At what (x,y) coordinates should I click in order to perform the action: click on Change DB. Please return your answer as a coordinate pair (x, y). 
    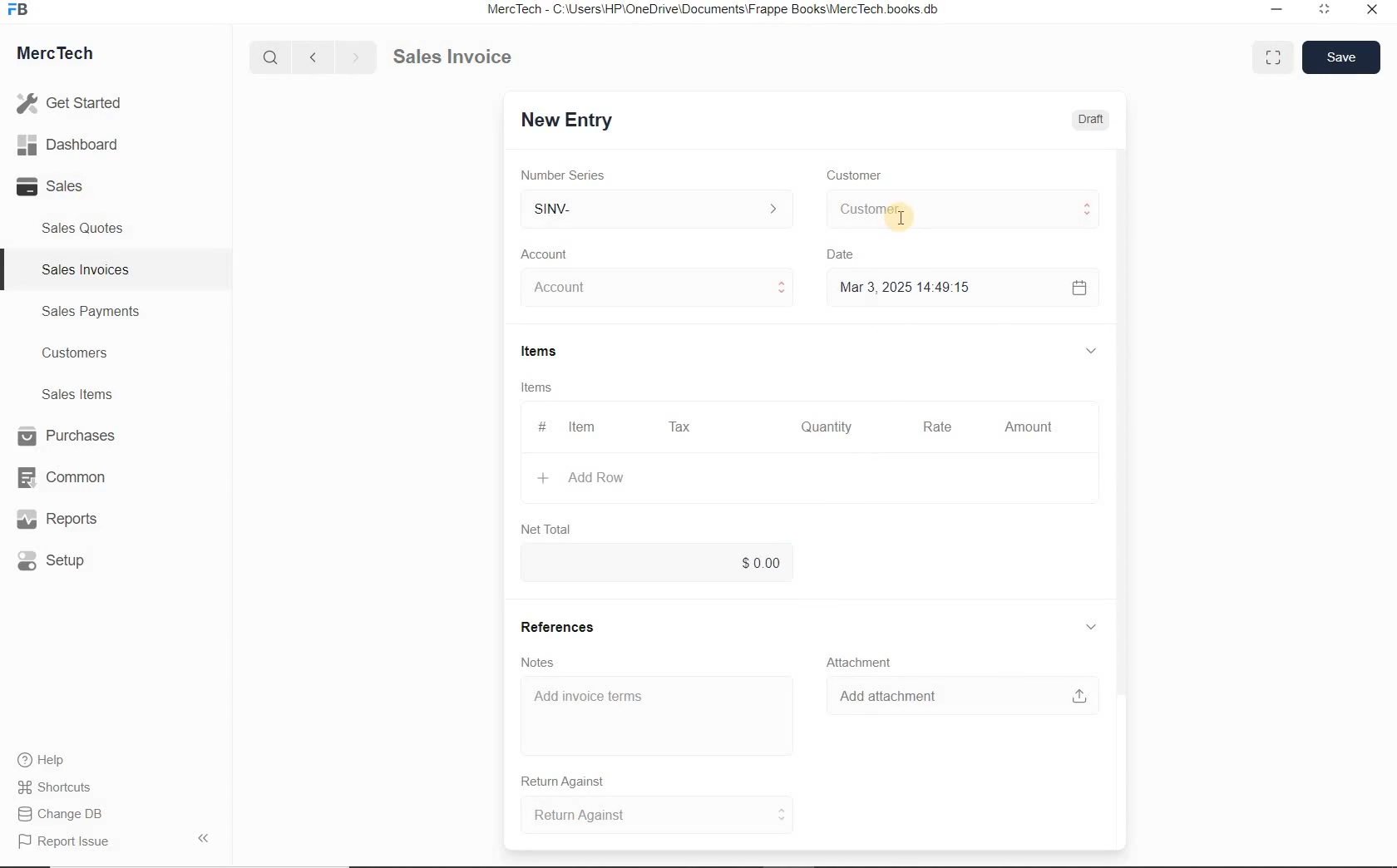
    Looking at the image, I should click on (62, 814).